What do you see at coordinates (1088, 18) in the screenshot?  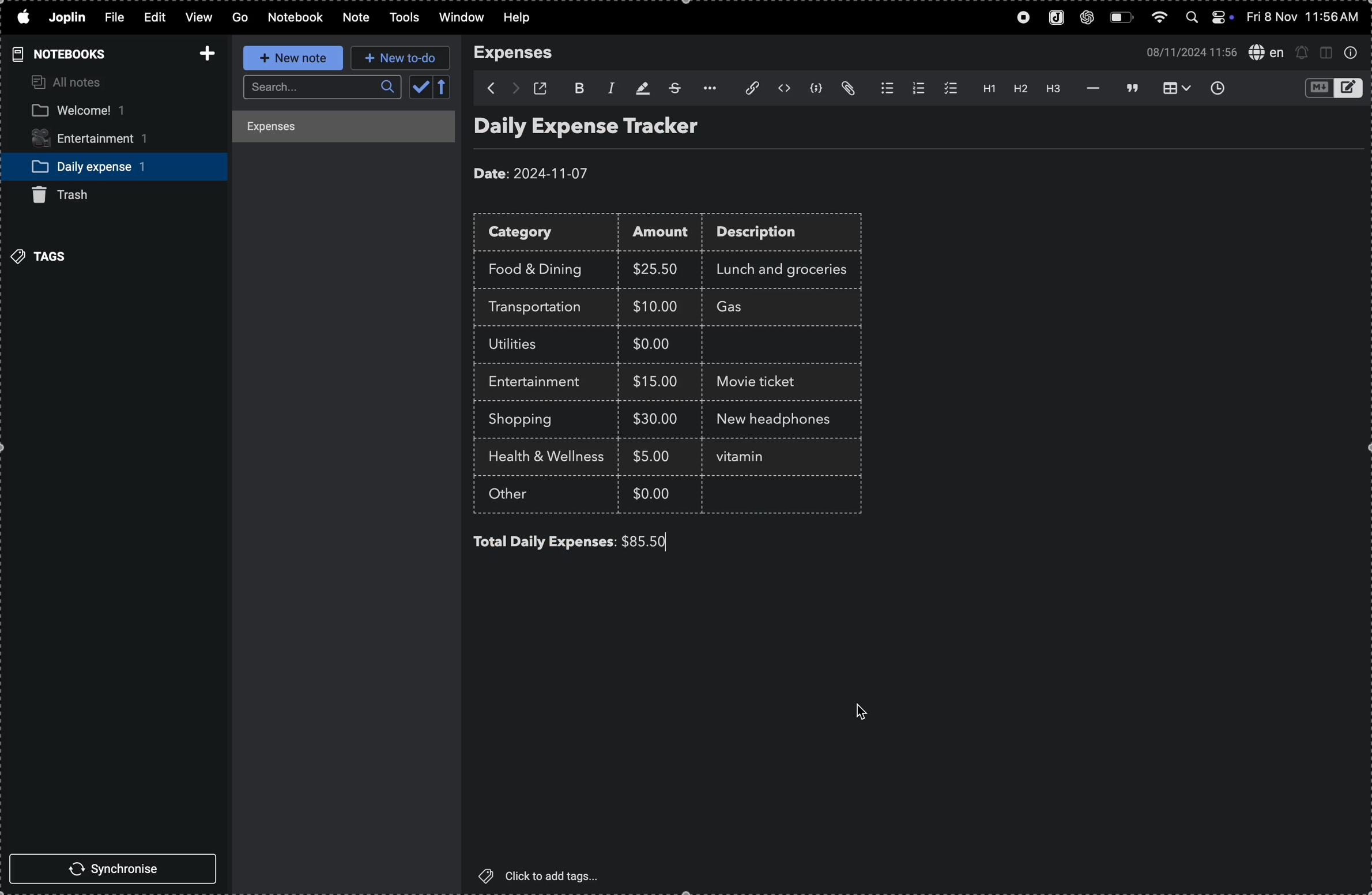 I see `chatgpt` at bounding box center [1088, 18].